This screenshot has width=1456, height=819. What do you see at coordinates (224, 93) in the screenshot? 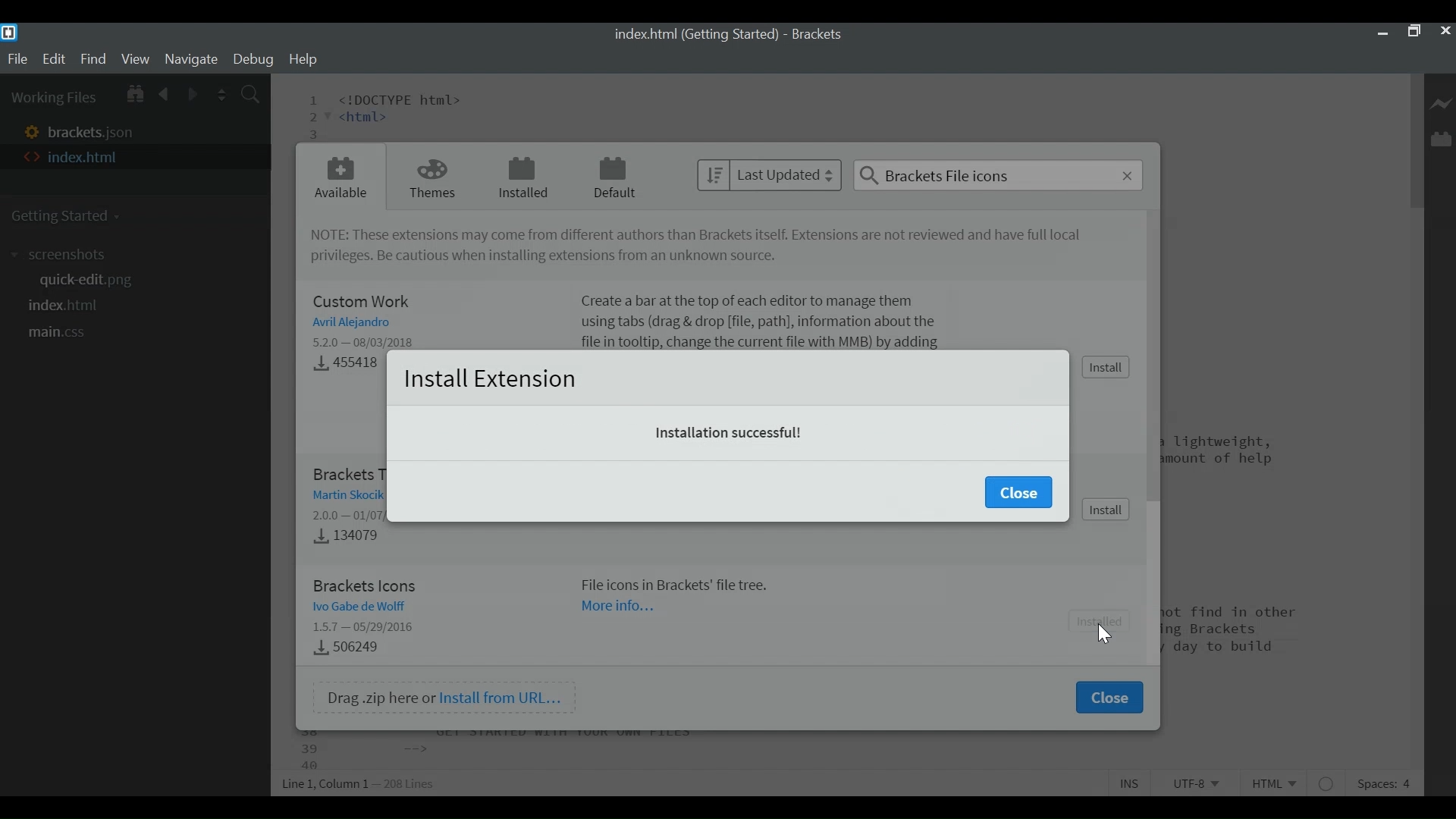
I see `Split the Editor Vertically or Horizontally` at bounding box center [224, 93].